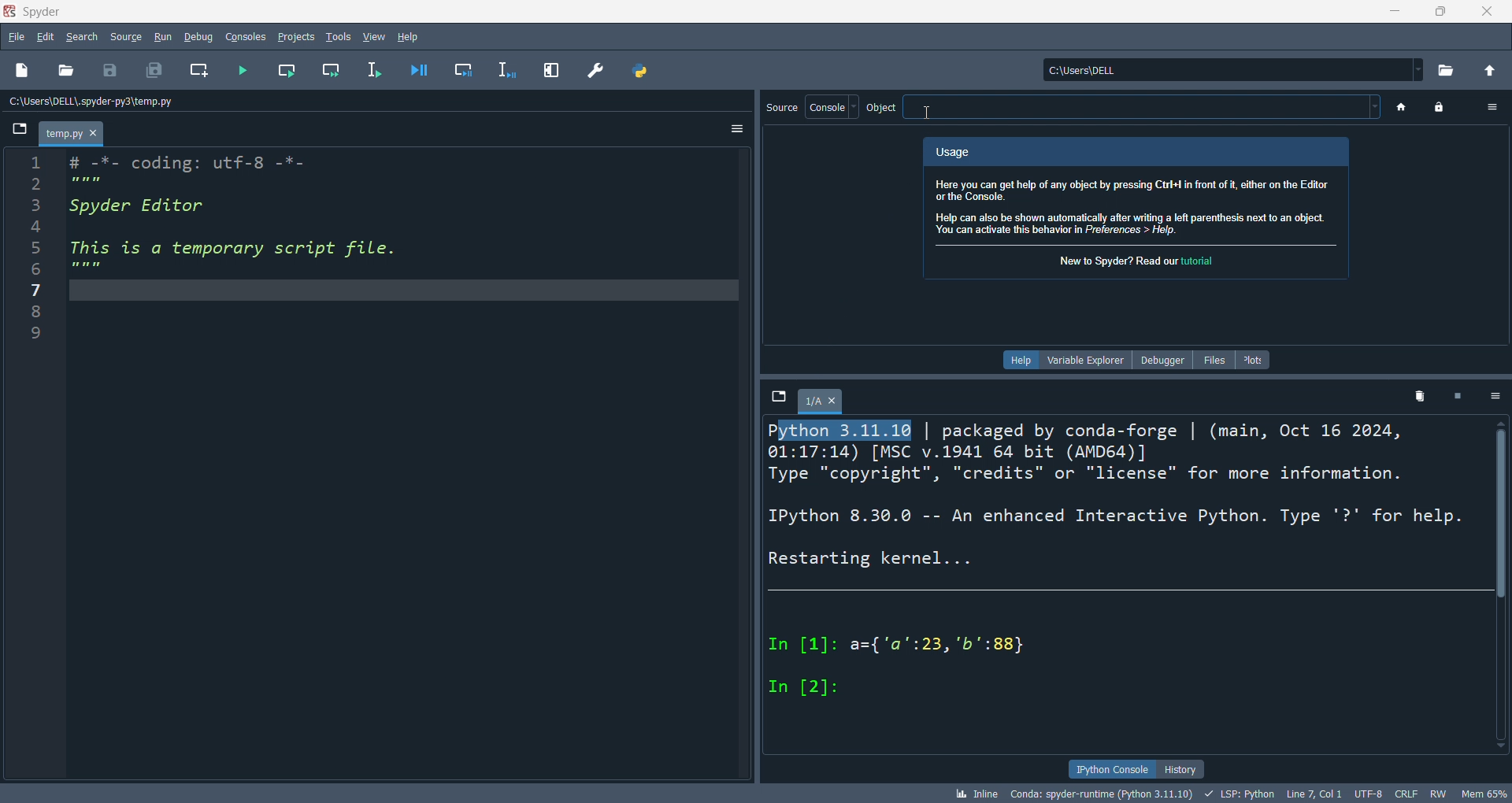 This screenshot has height=803, width=1512. Describe the element at coordinates (504, 68) in the screenshot. I see `debug line` at that location.